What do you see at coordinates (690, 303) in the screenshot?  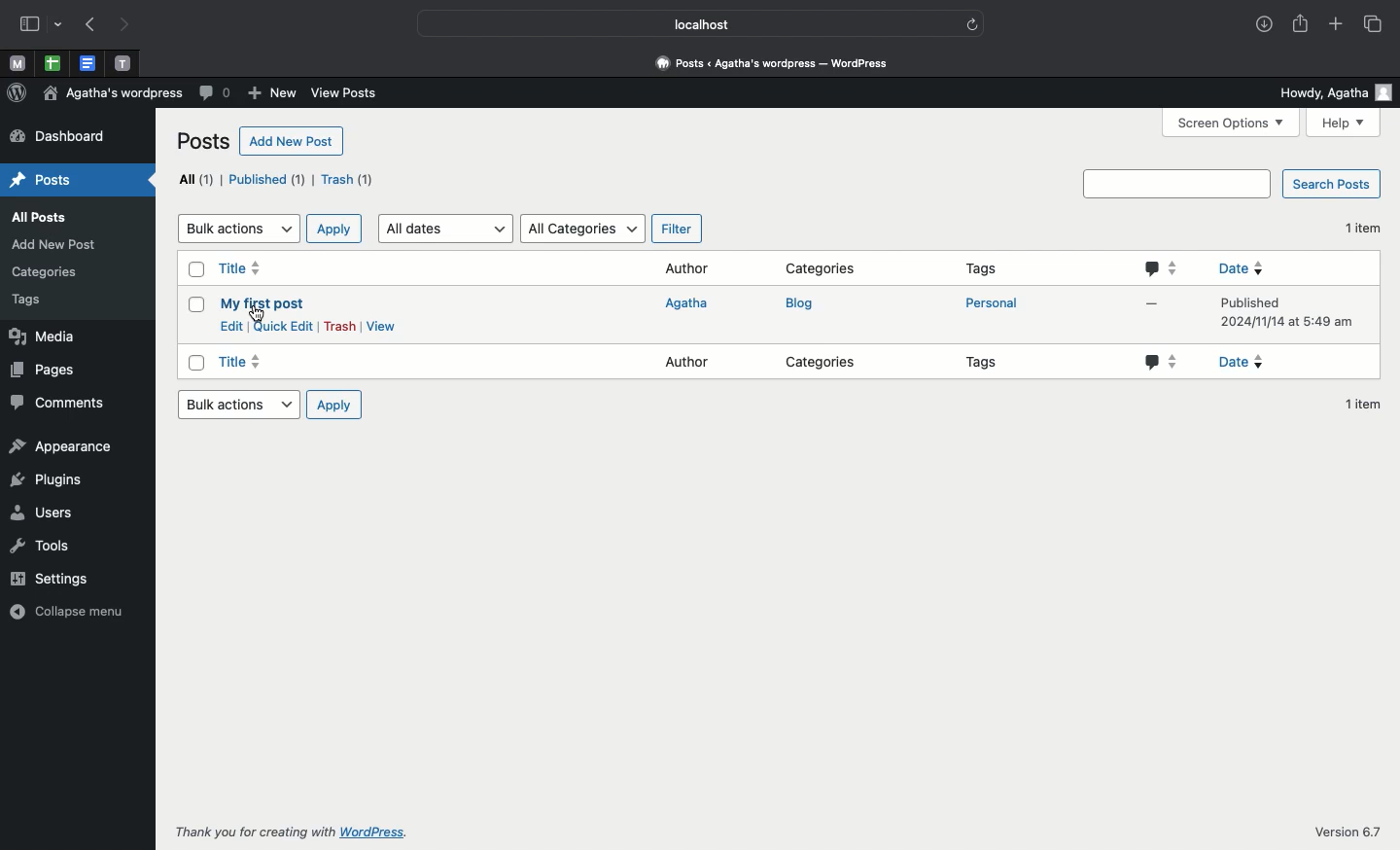 I see `Agatha` at bounding box center [690, 303].